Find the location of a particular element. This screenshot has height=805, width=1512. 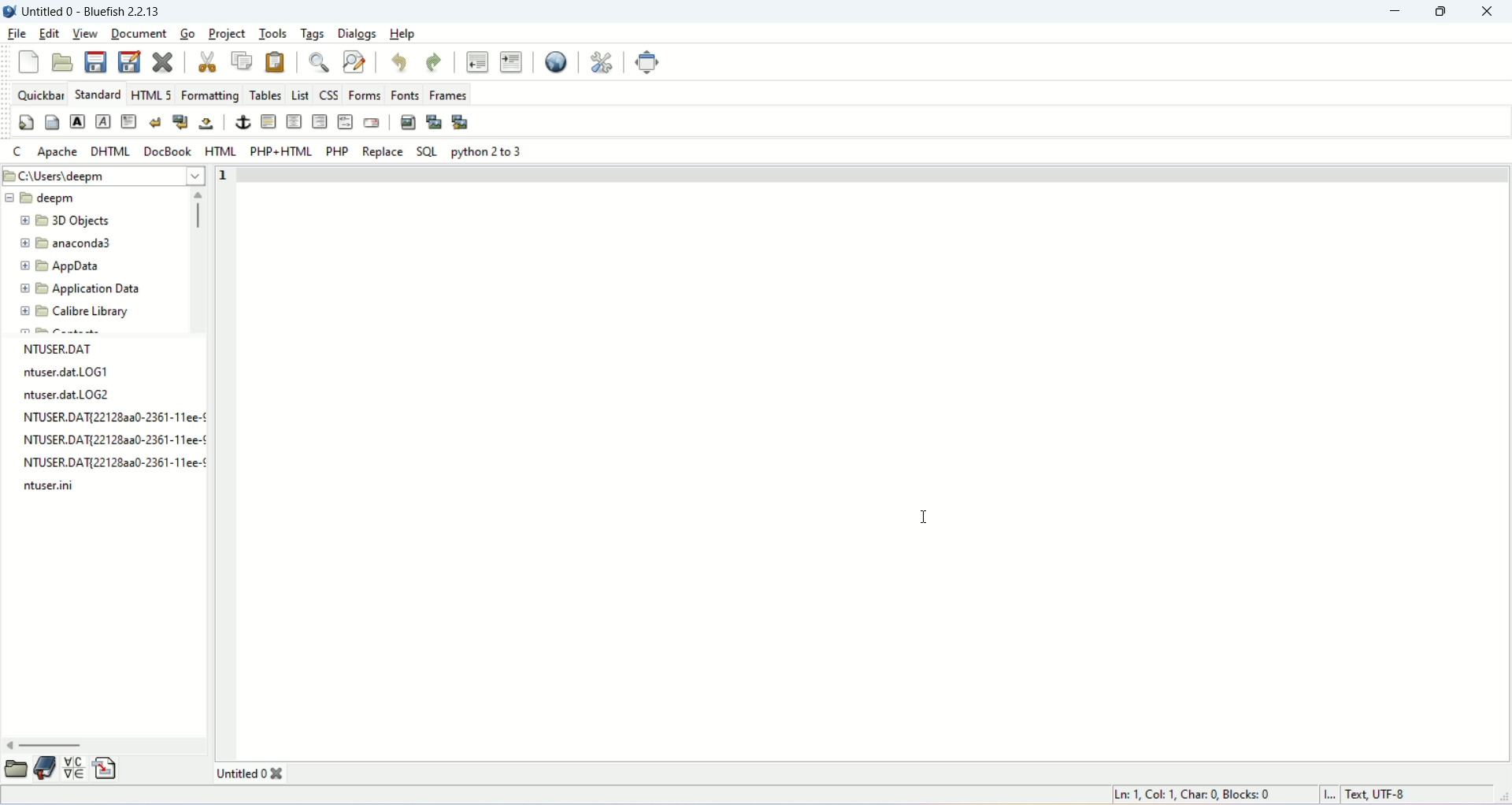

horizontal scroll bar is located at coordinates (46, 744).